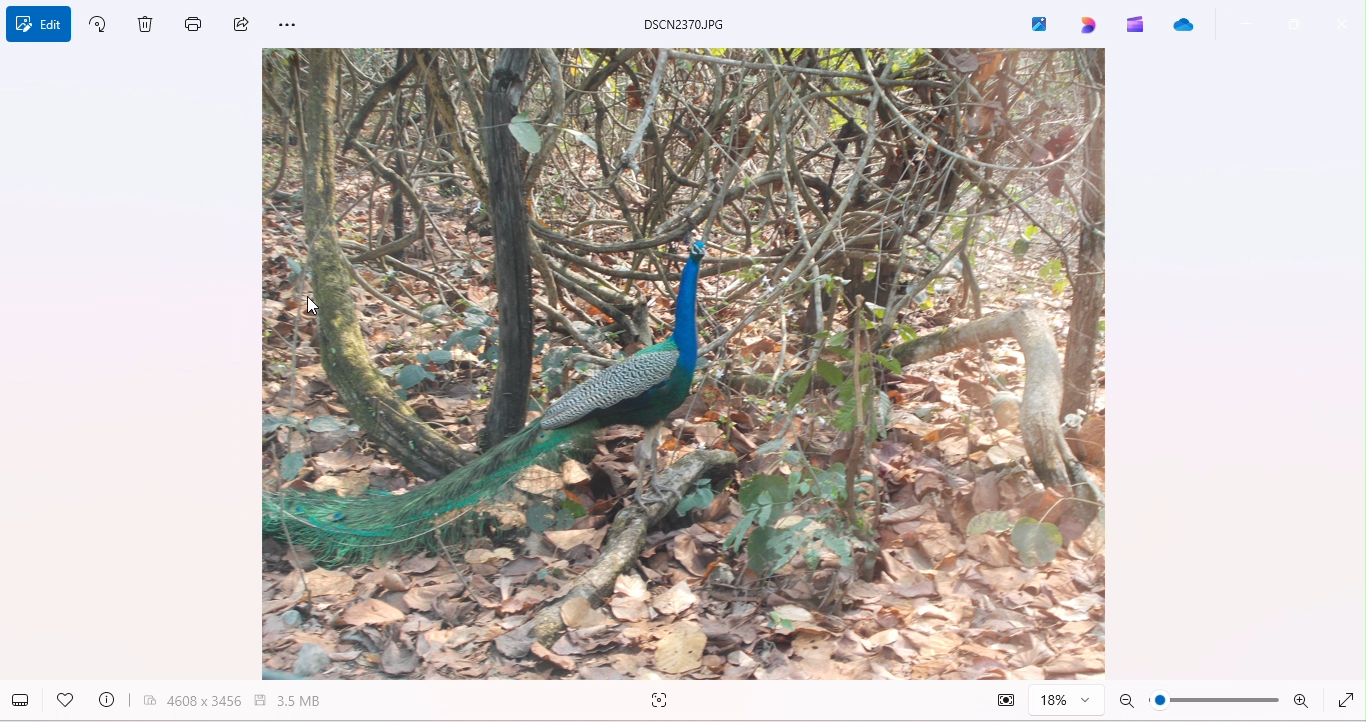 This screenshot has height=722, width=1366. What do you see at coordinates (153, 31) in the screenshot?
I see `delete` at bounding box center [153, 31].